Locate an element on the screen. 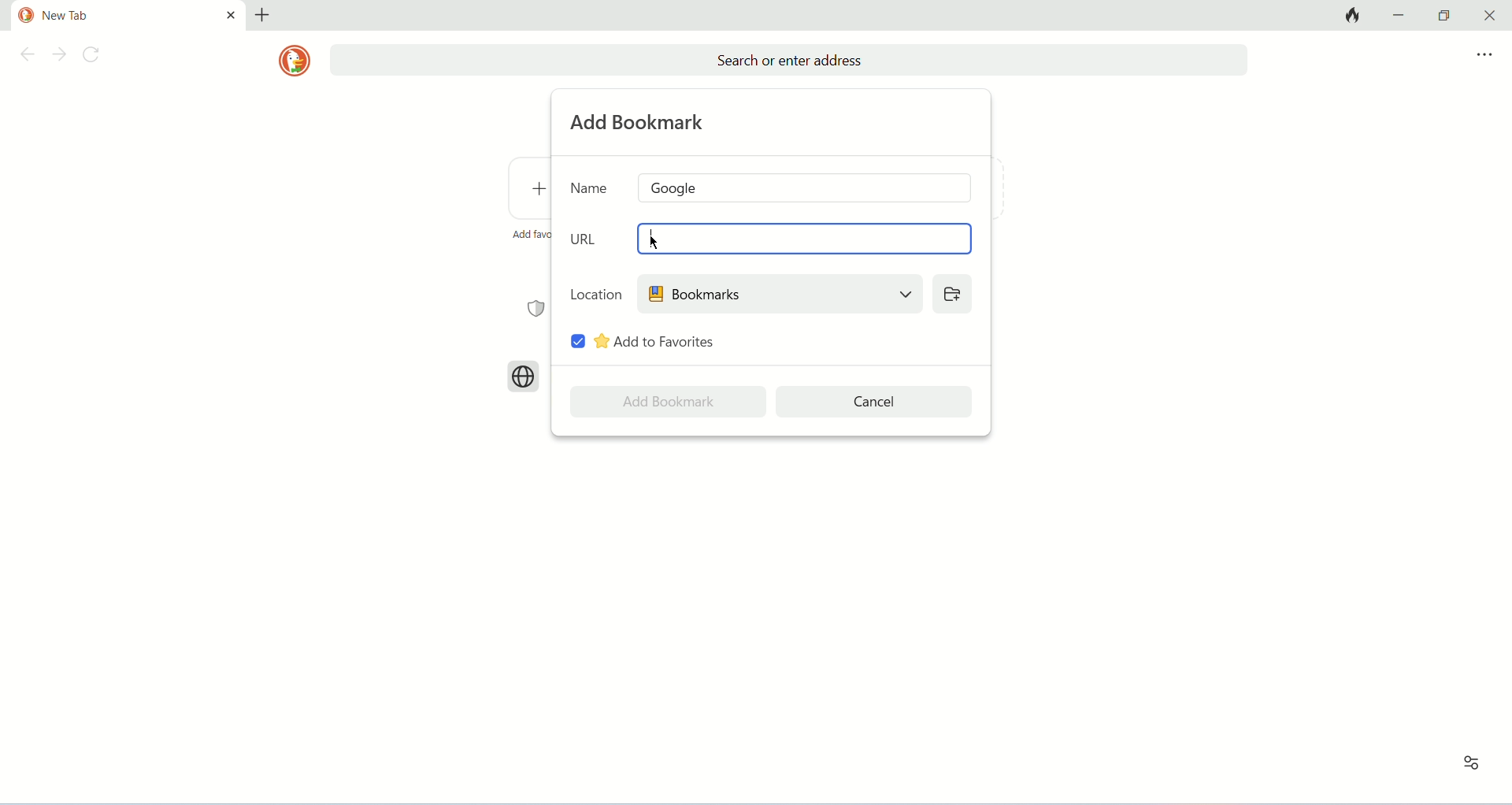 The height and width of the screenshot is (805, 1512). cursor is located at coordinates (656, 243).